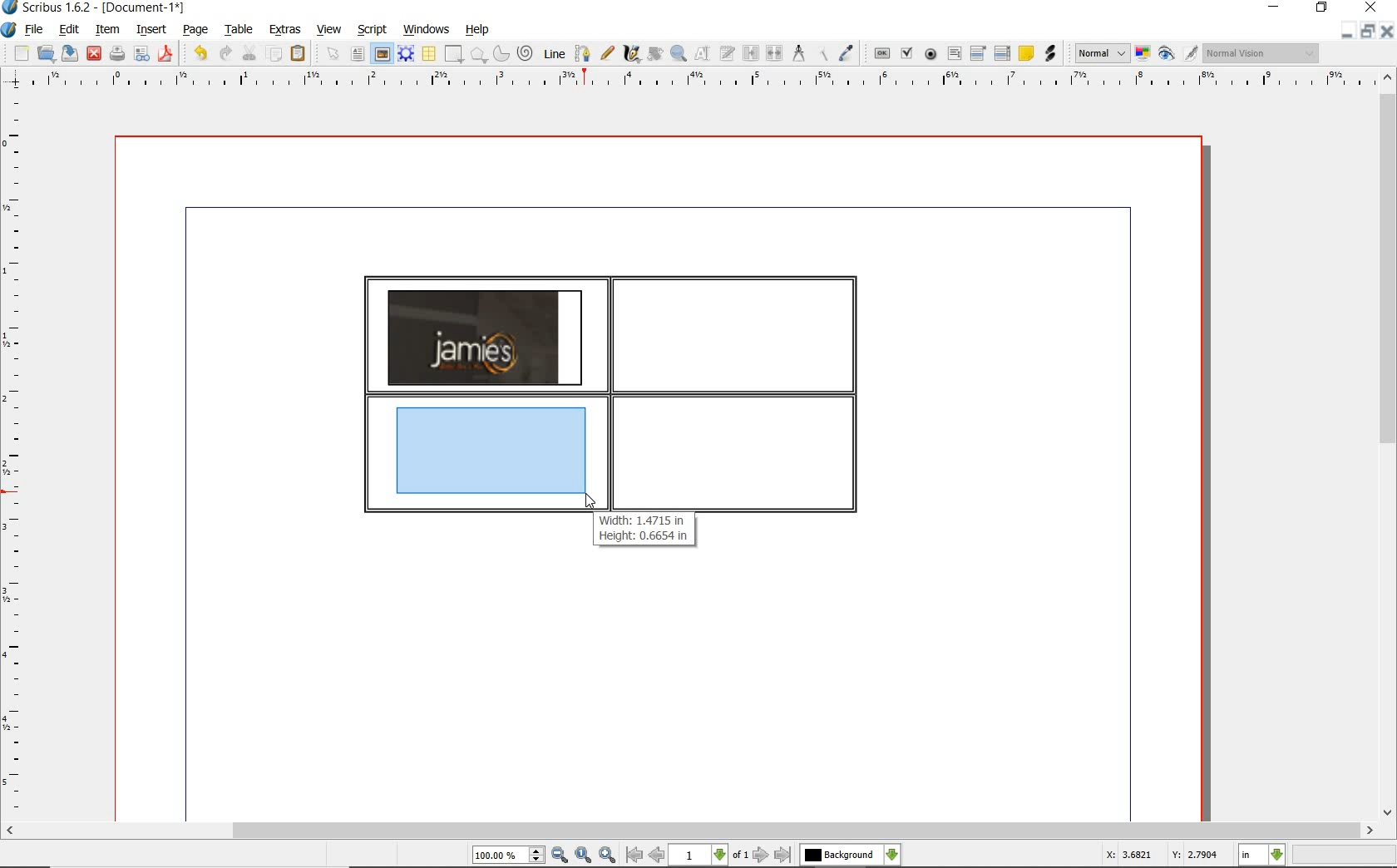 The width and height of the screenshot is (1397, 868). Describe the element at coordinates (1167, 55) in the screenshot. I see `preview mode` at that location.